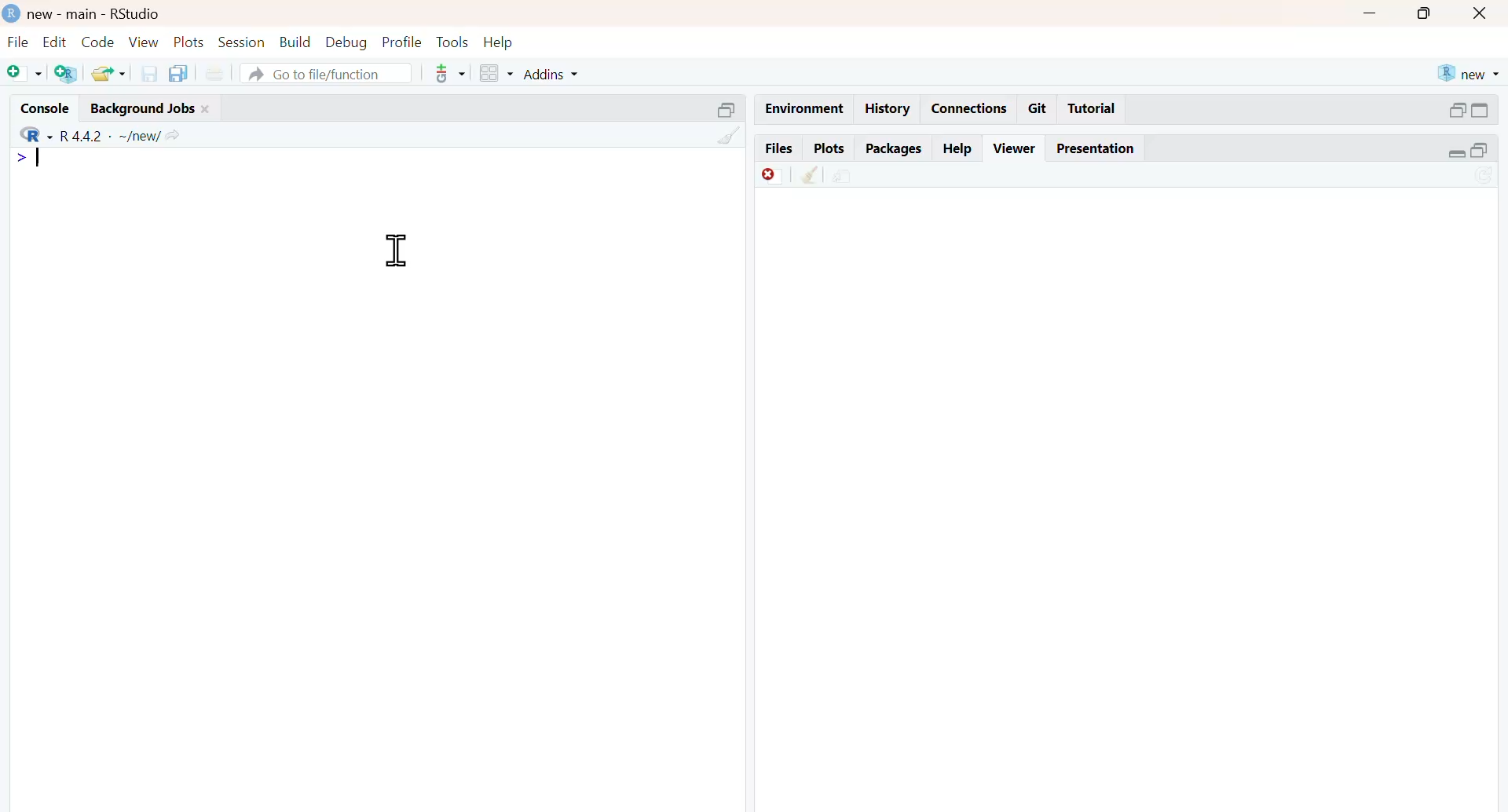  Describe the element at coordinates (49, 108) in the screenshot. I see `console` at that location.